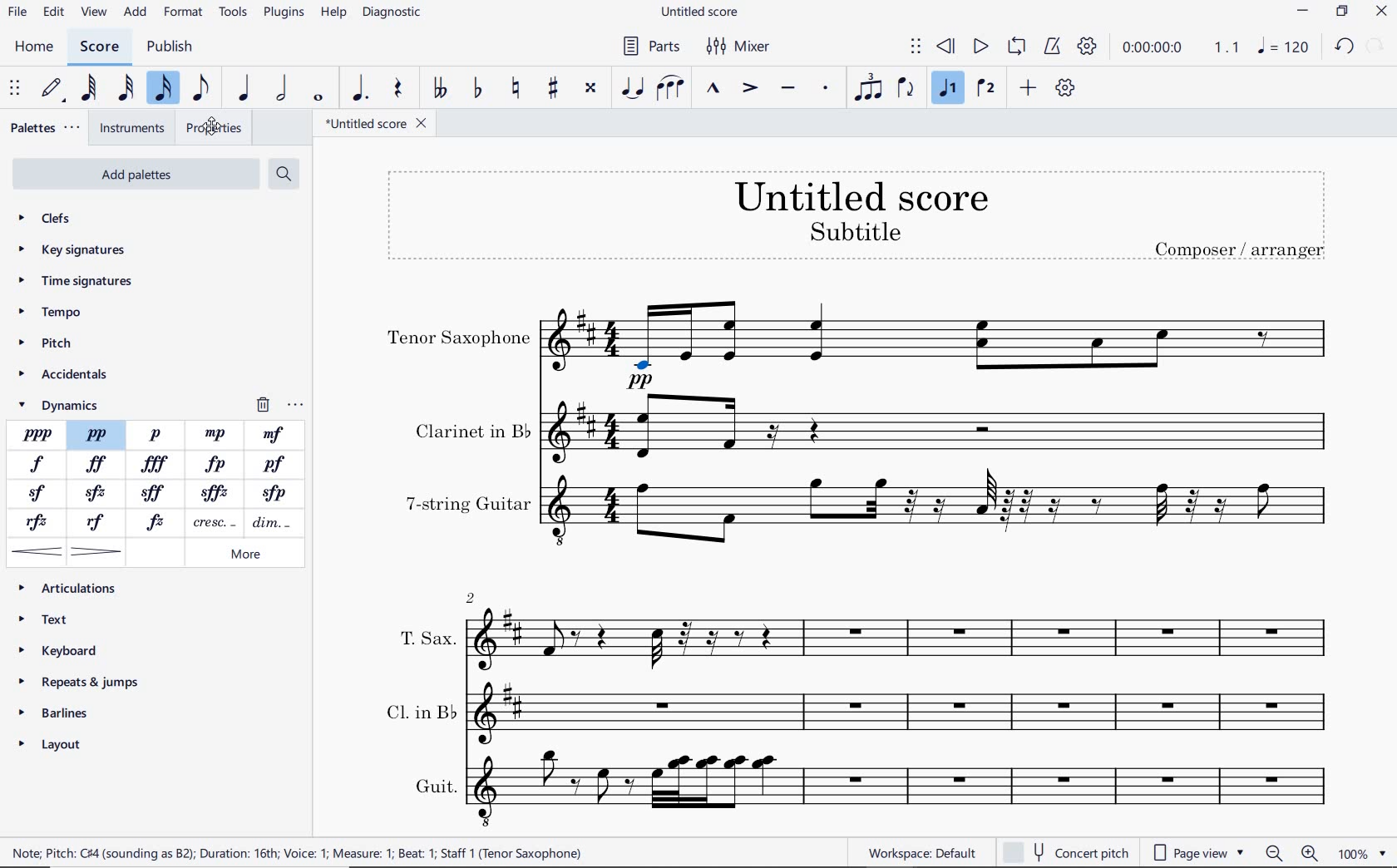 This screenshot has height=868, width=1397. I want to click on search palettes, so click(285, 175).